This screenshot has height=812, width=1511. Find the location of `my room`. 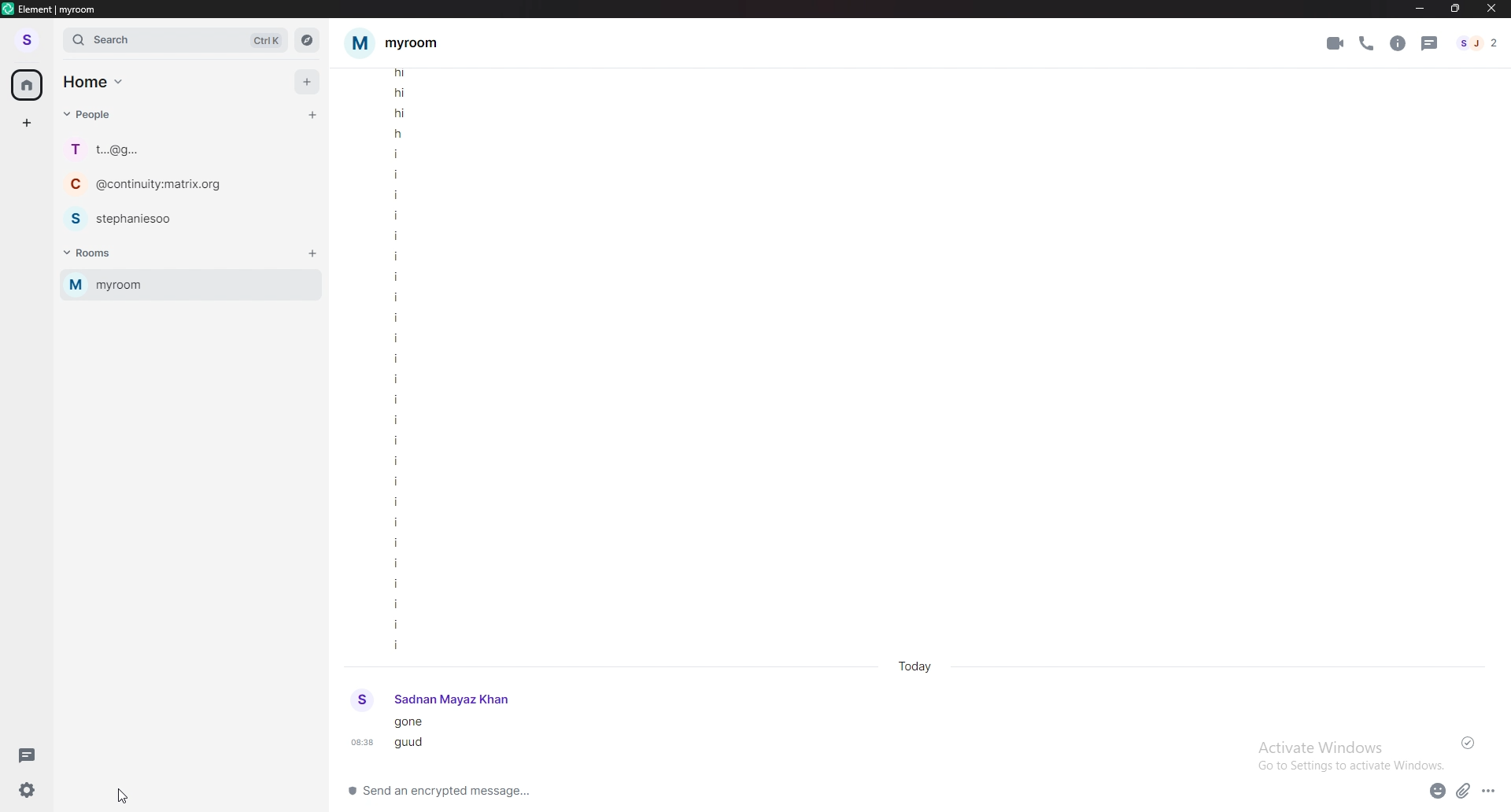

my room is located at coordinates (190, 285).